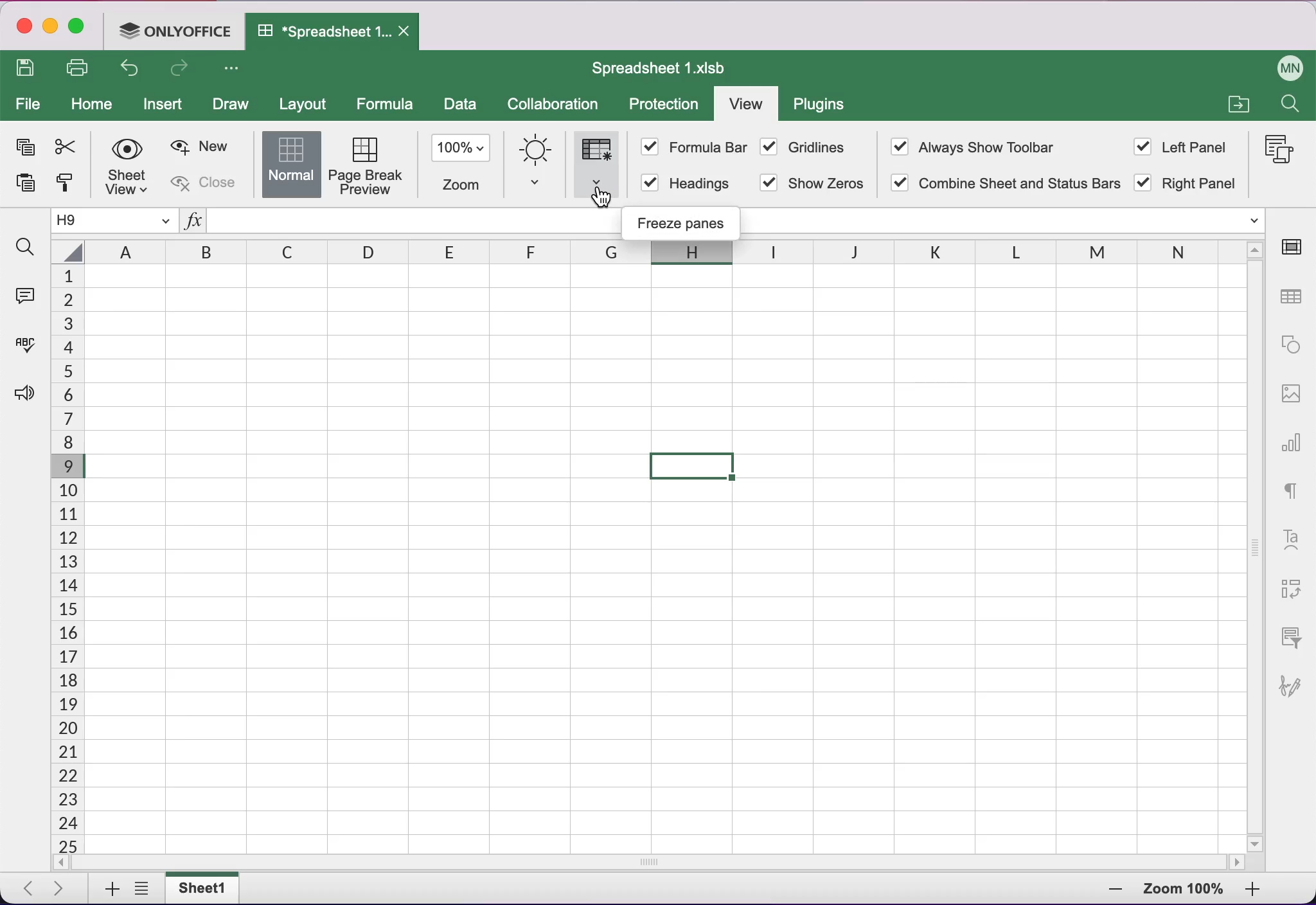 The height and width of the screenshot is (905, 1316). Describe the element at coordinates (1103, 892) in the screenshot. I see `zoom in` at that location.